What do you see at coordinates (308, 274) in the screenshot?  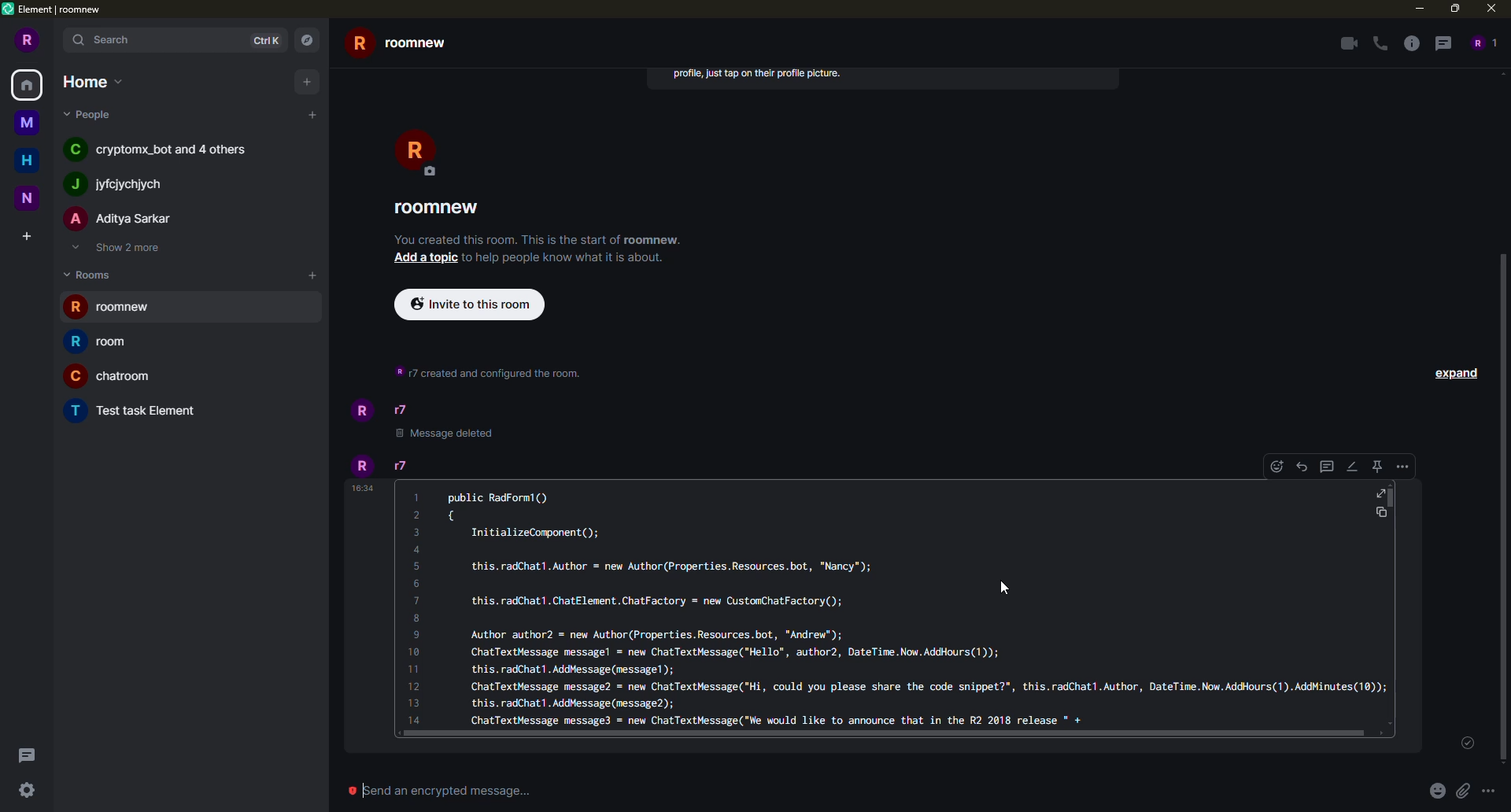 I see `add` at bounding box center [308, 274].